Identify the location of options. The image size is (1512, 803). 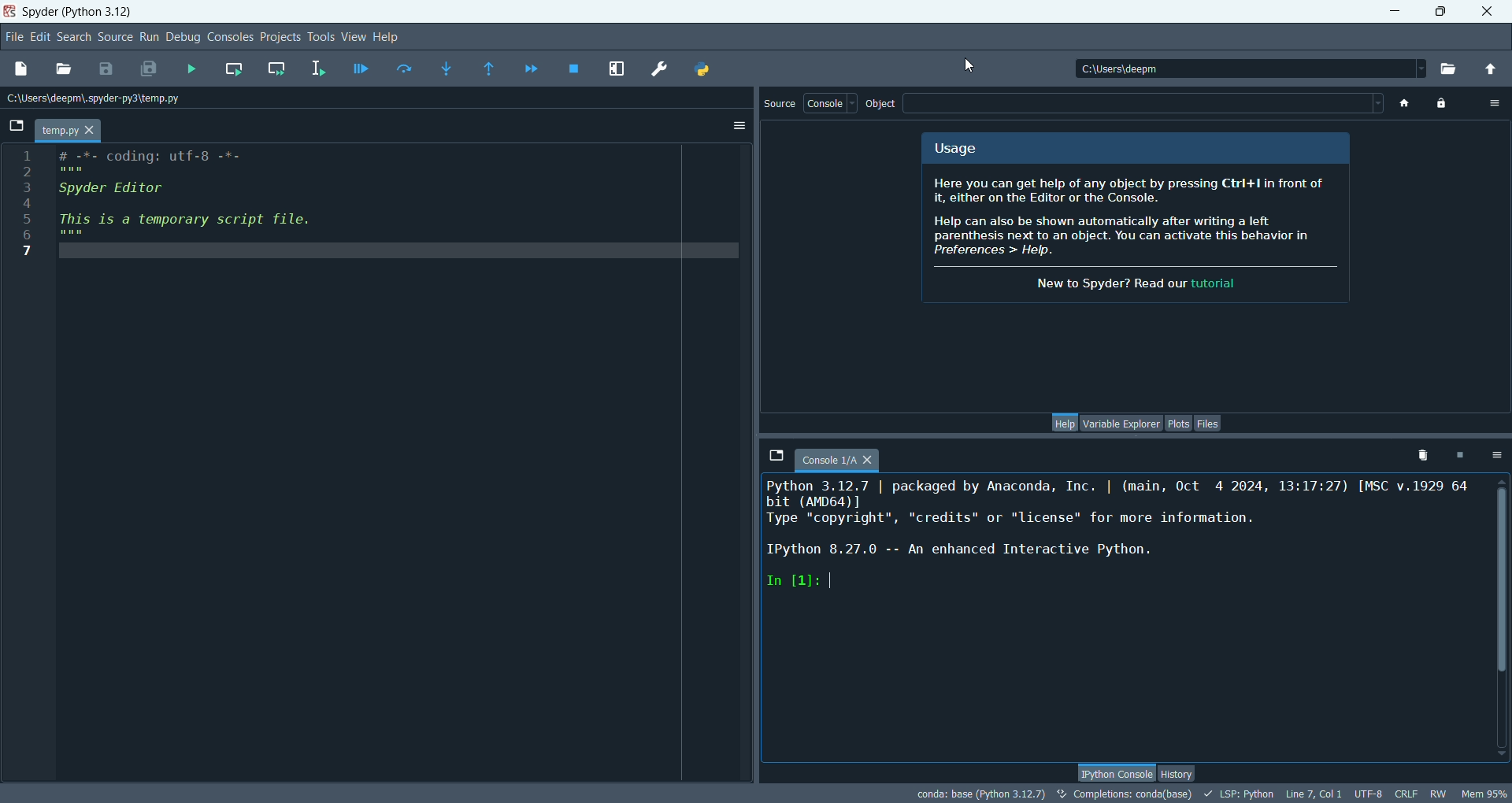
(1495, 457).